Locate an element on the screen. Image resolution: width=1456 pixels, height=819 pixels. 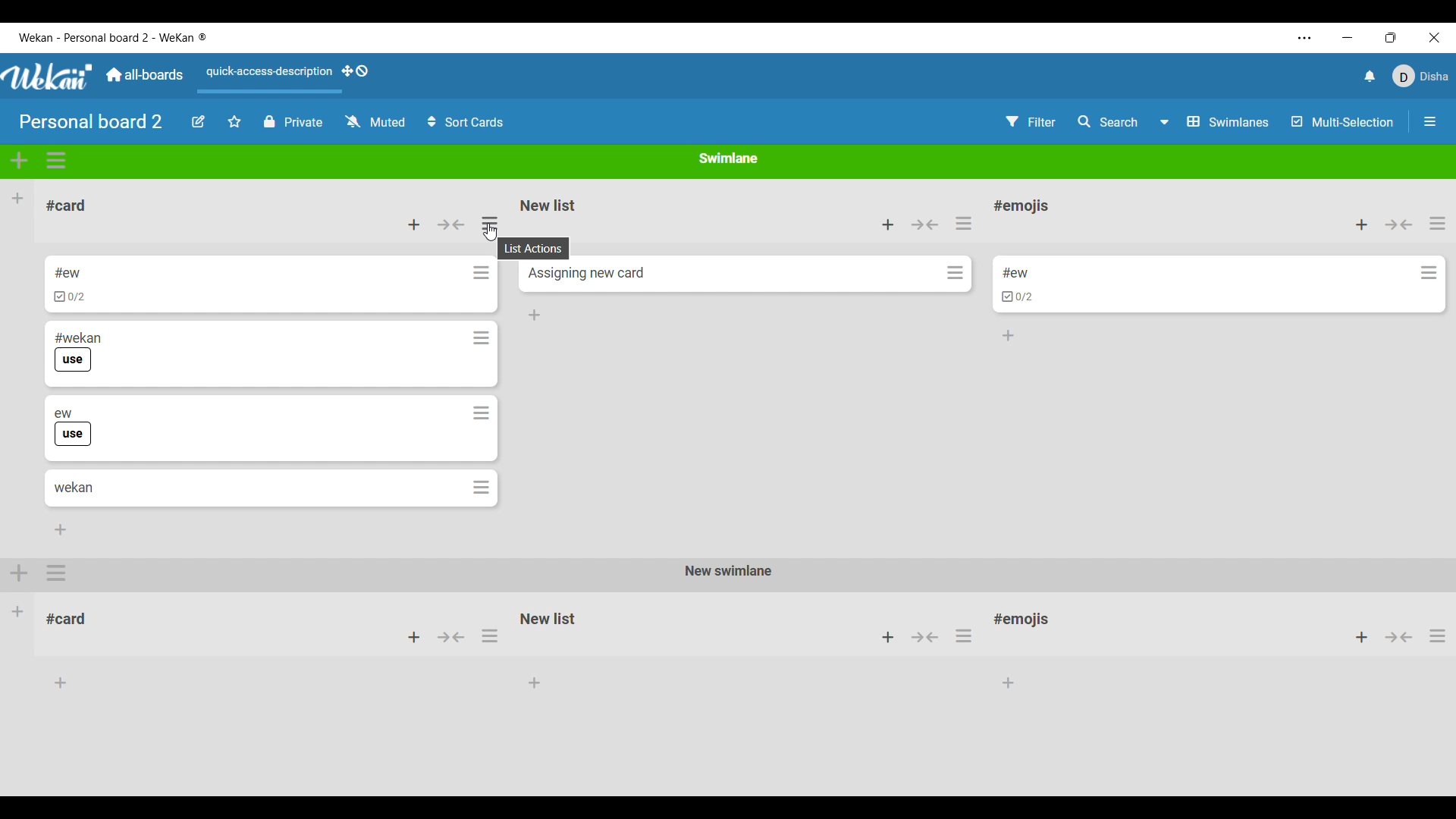
Close interface is located at coordinates (1435, 37).